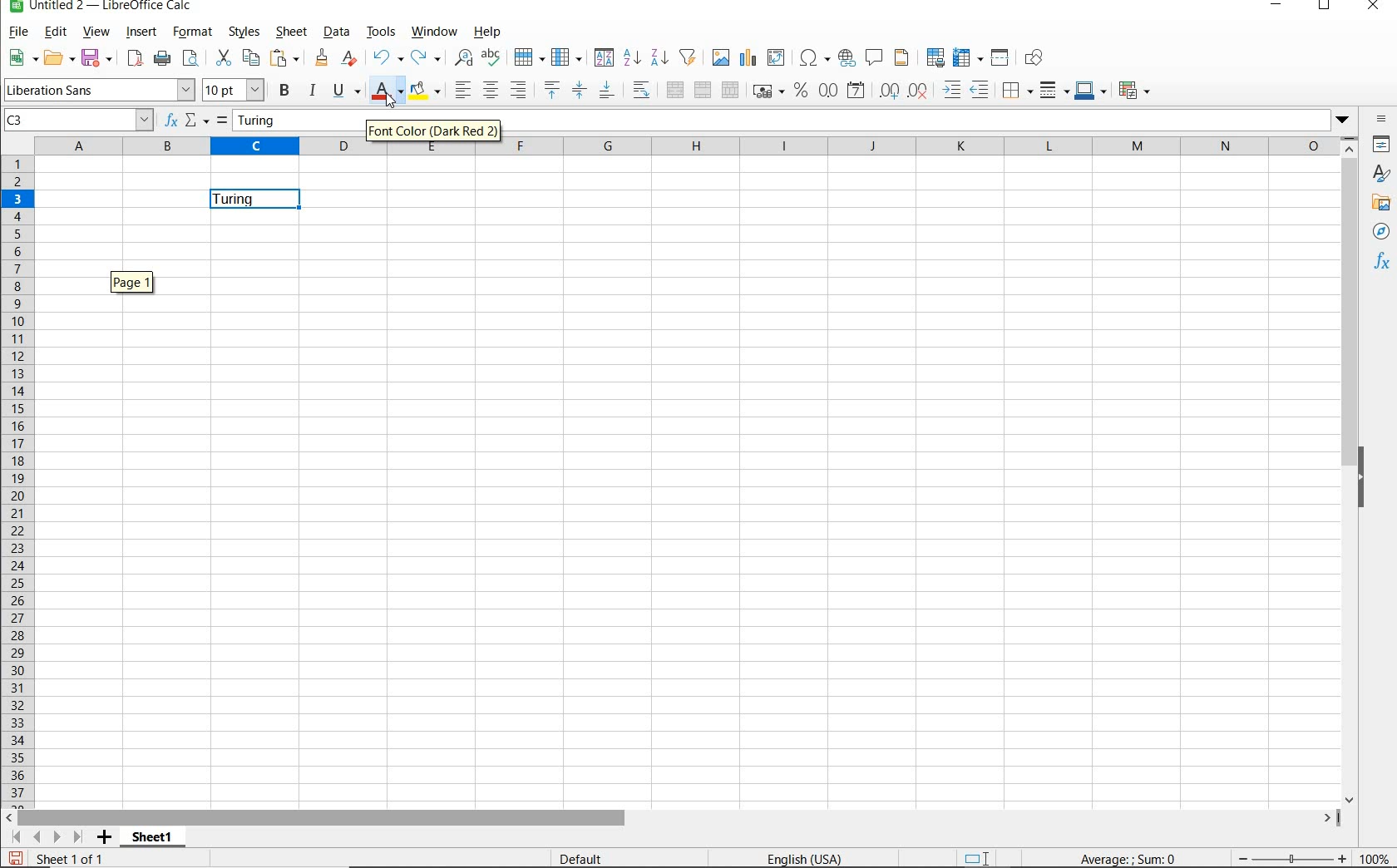 The image size is (1397, 868). What do you see at coordinates (1382, 176) in the screenshot?
I see `STYLES` at bounding box center [1382, 176].